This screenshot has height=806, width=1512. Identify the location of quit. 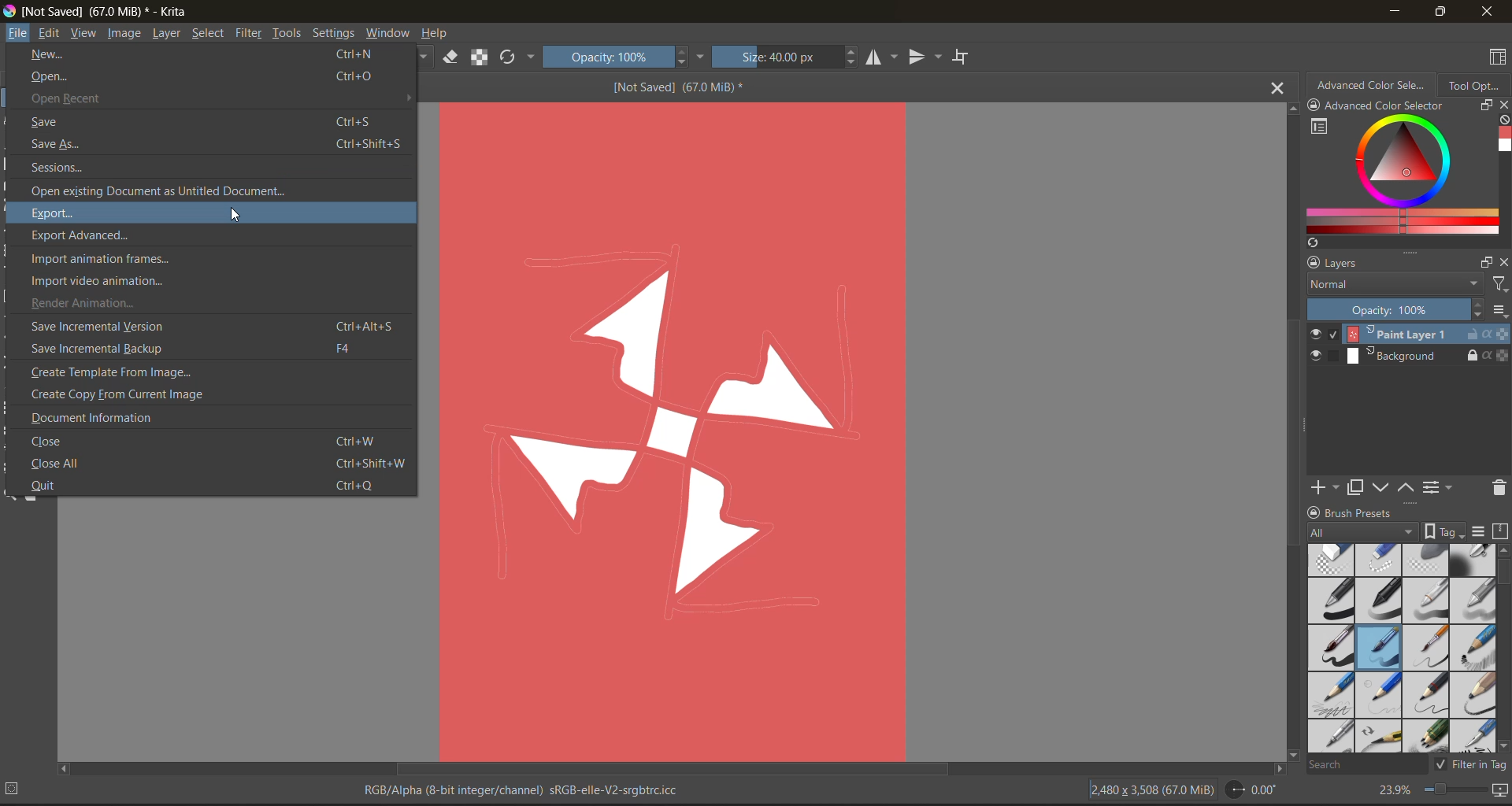
(216, 486).